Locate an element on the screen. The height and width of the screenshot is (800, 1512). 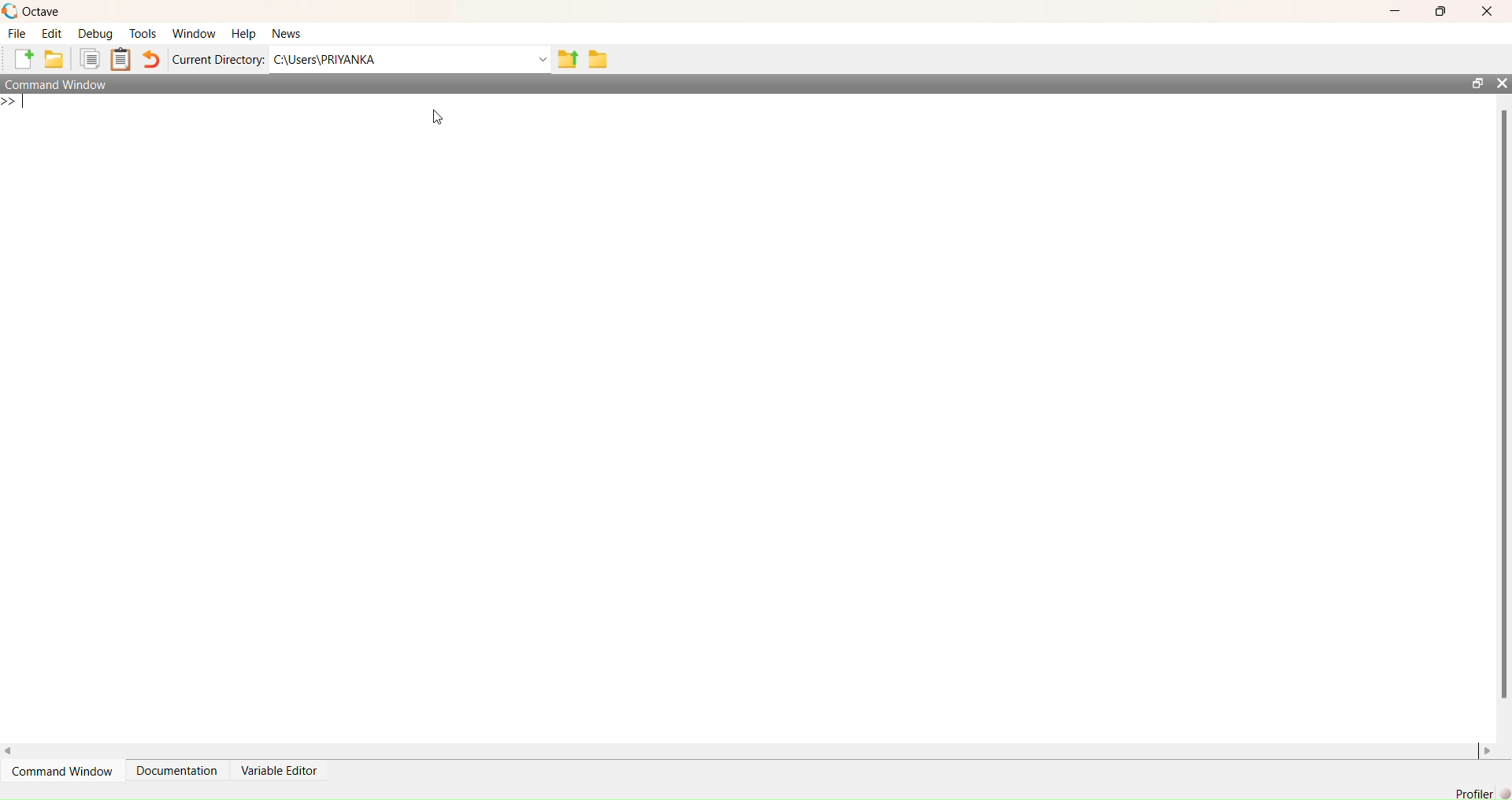
logo is located at coordinates (11, 12).